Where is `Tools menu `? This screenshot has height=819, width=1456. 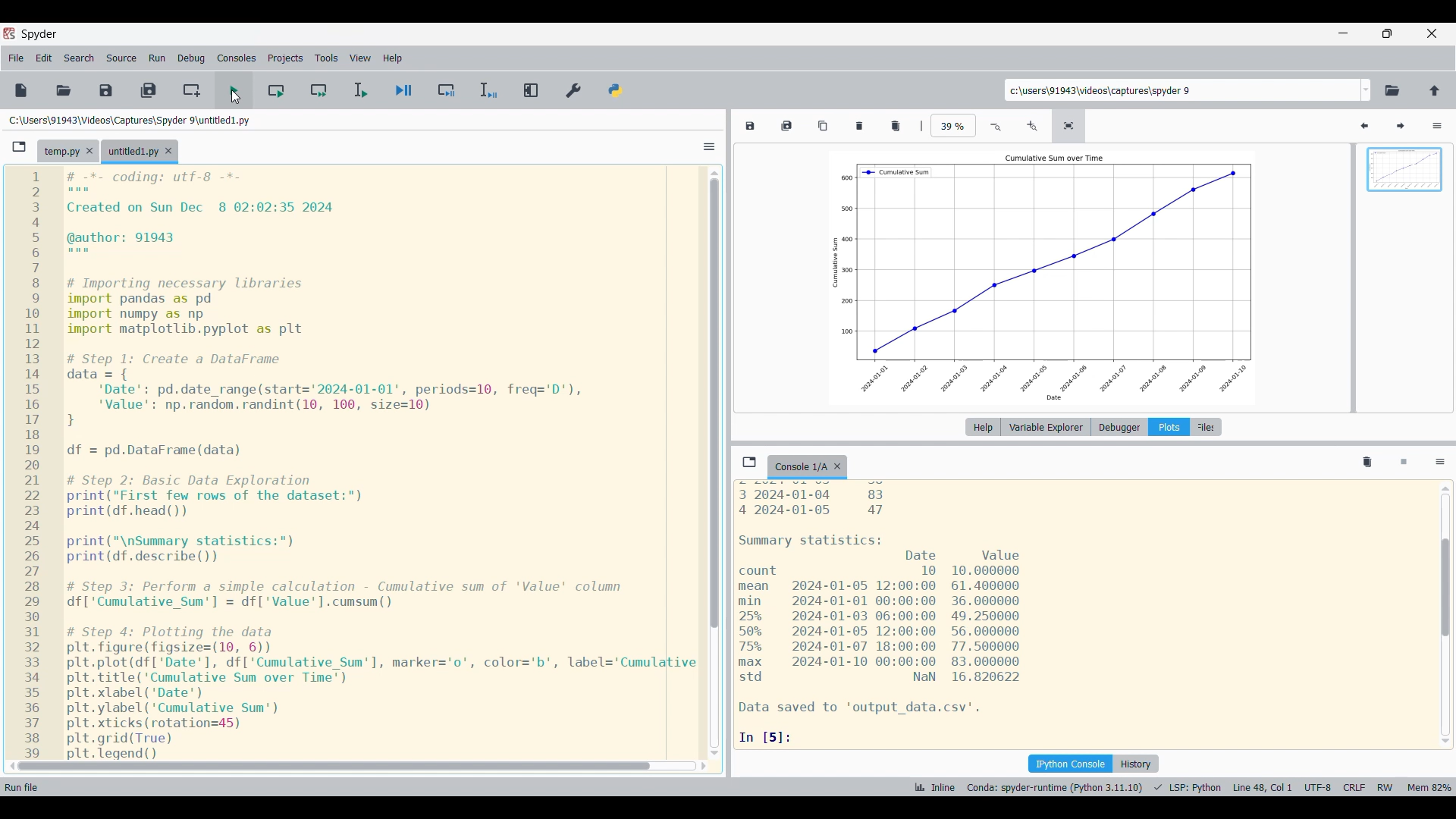 Tools menu  is located at coordinates (326, 58).